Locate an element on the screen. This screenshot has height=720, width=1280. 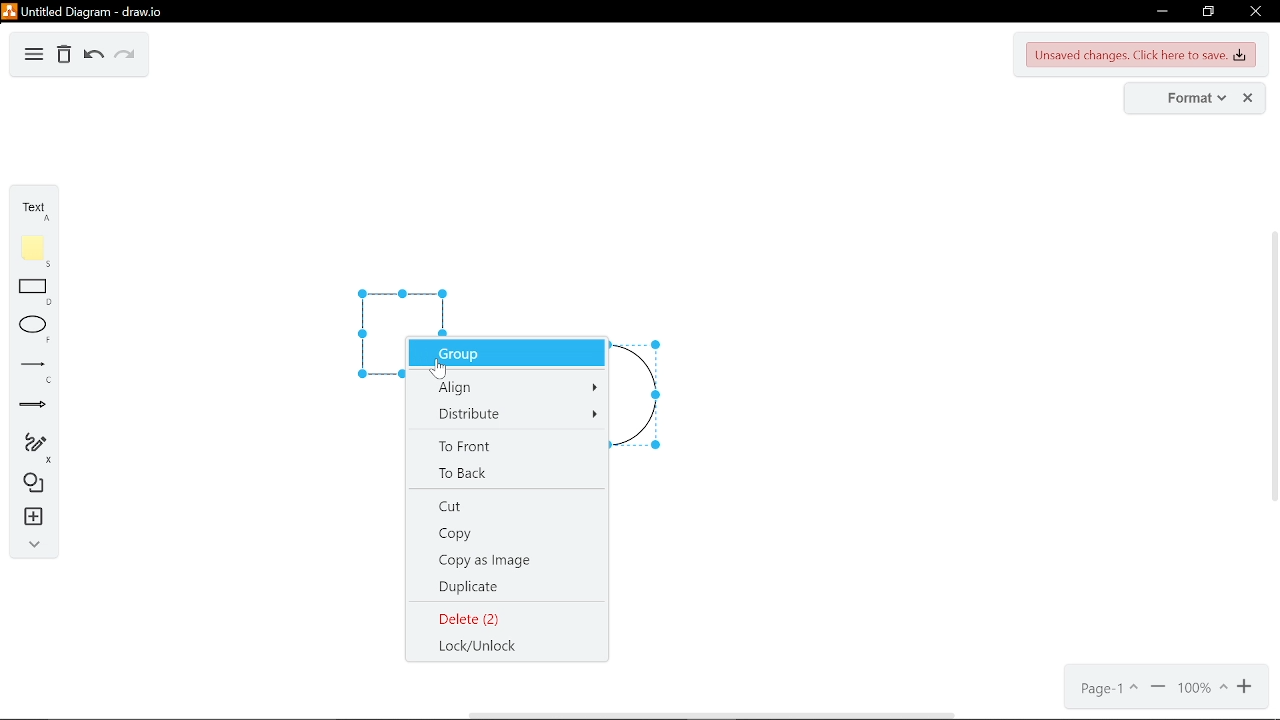
diagram is located at coordinates (34, 56).